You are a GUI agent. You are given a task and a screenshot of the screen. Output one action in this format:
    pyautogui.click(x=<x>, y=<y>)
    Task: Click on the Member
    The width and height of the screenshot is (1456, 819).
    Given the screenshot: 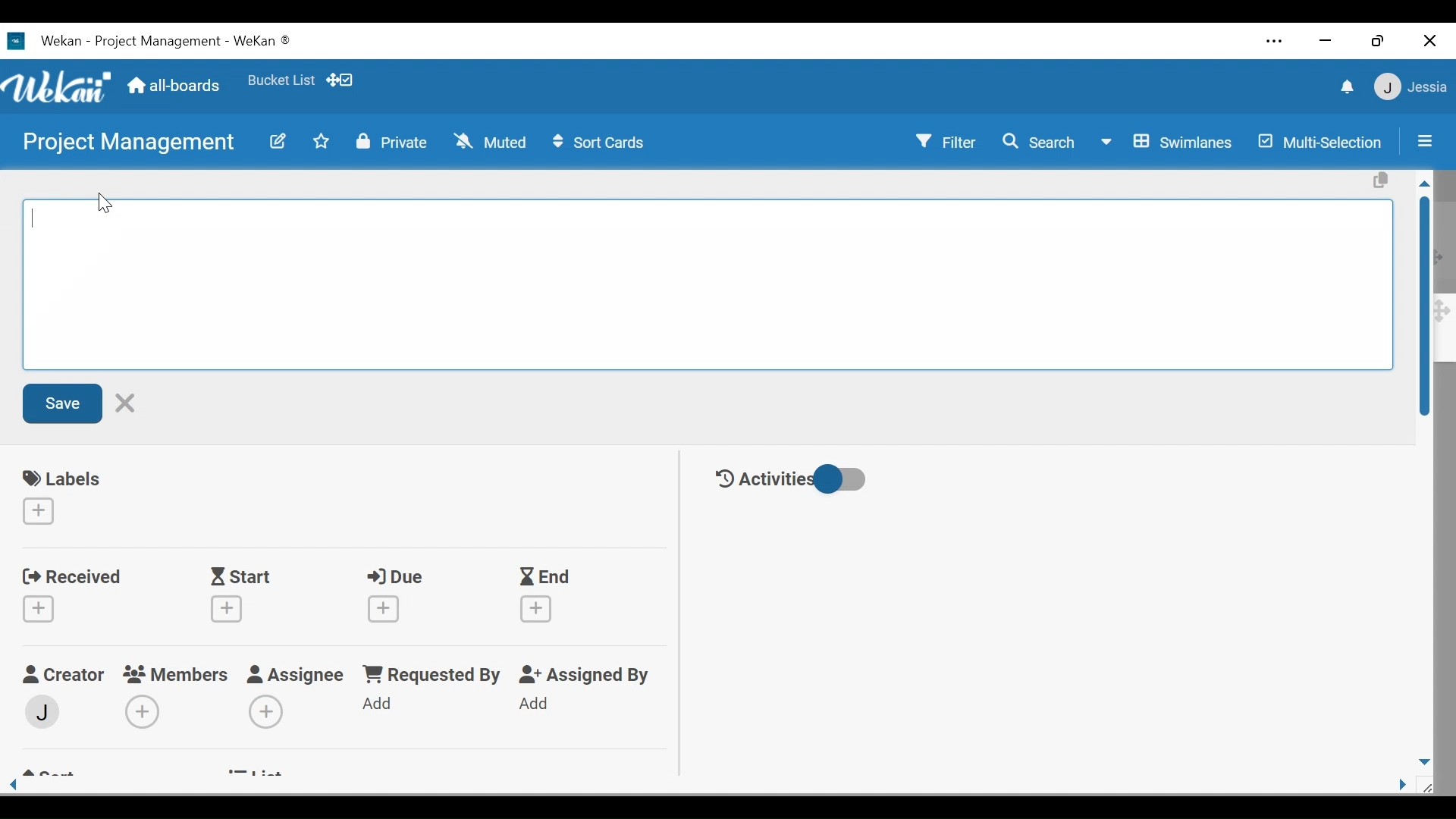 What is the action you would take?
    pyautogui.click(x=44, y=711)
    